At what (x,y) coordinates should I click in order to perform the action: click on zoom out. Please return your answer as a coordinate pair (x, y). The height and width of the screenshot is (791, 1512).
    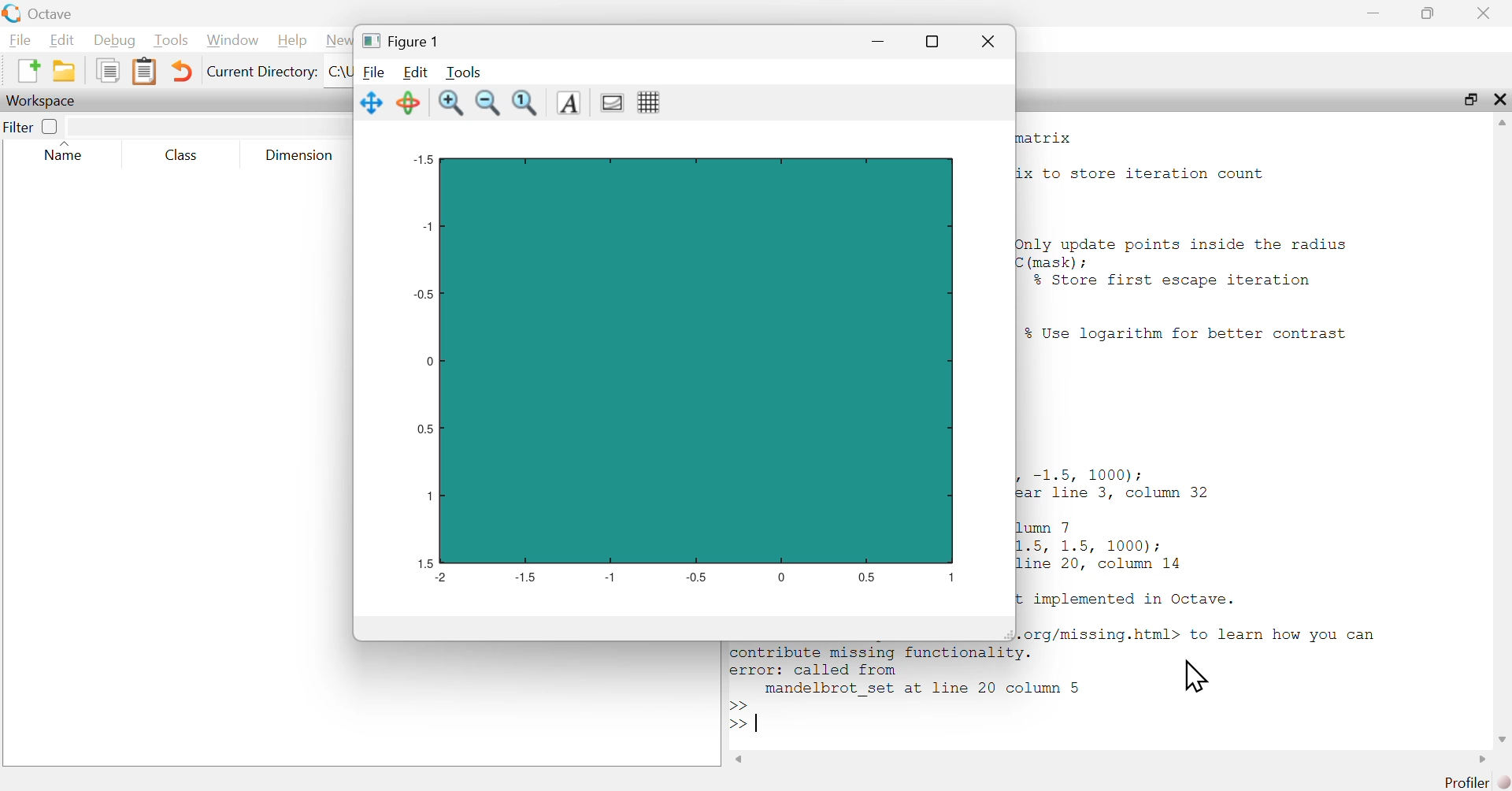
    Looking at the image, I should click on (486, 104).